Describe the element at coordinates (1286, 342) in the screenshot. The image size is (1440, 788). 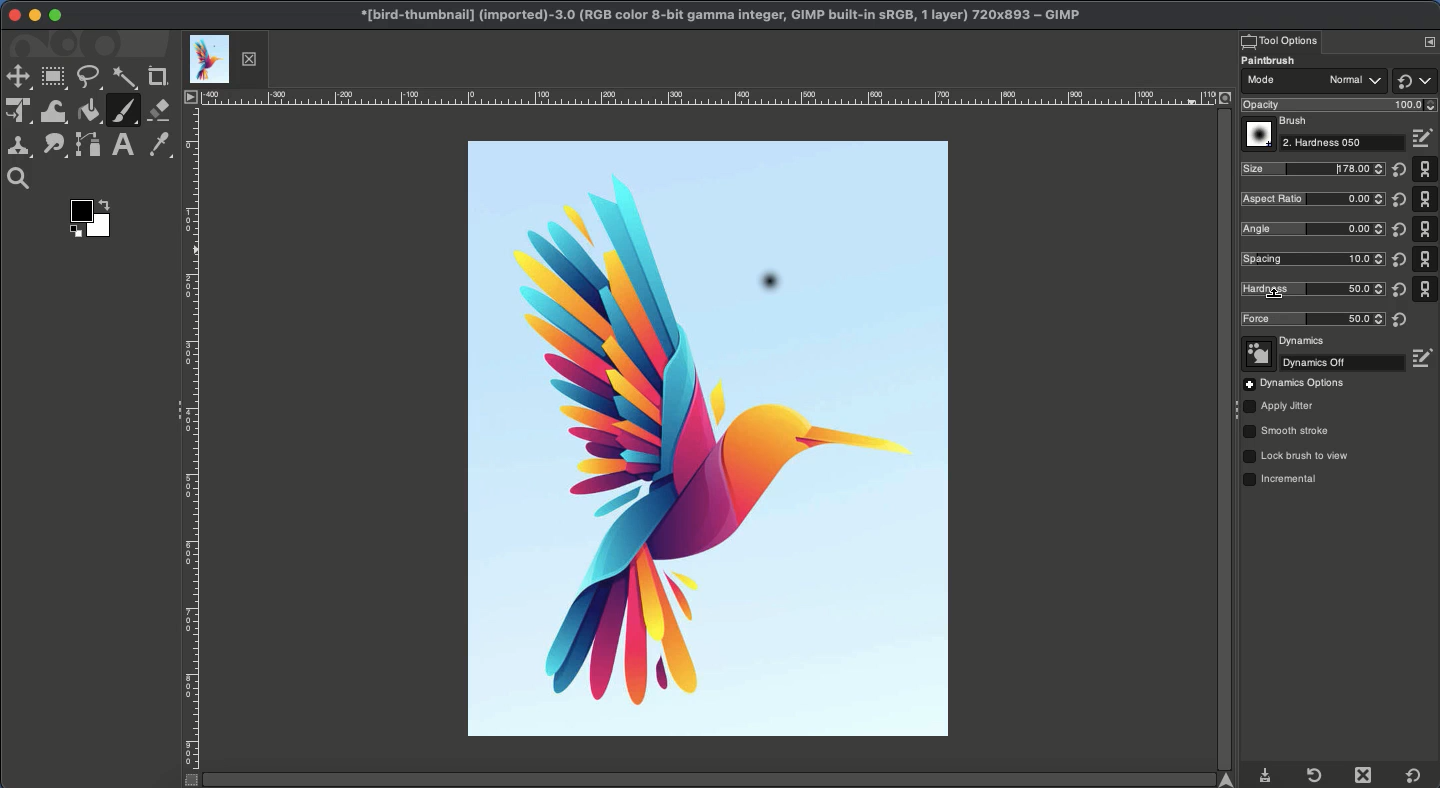
I see `Dynamics` at that location.